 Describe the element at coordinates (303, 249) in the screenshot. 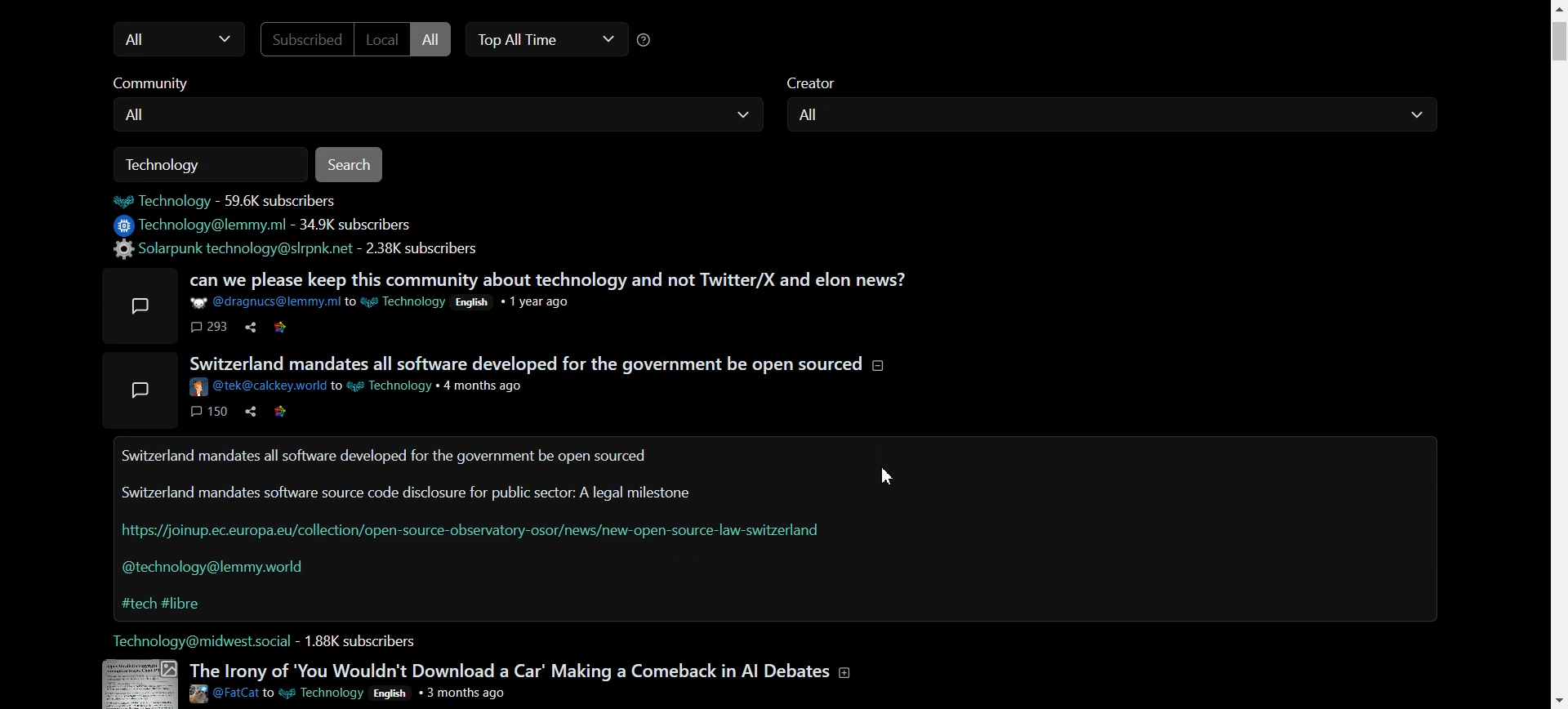

I see `Solarpunk technology@slrpnk.net - 2.38K subscribers` at that location.